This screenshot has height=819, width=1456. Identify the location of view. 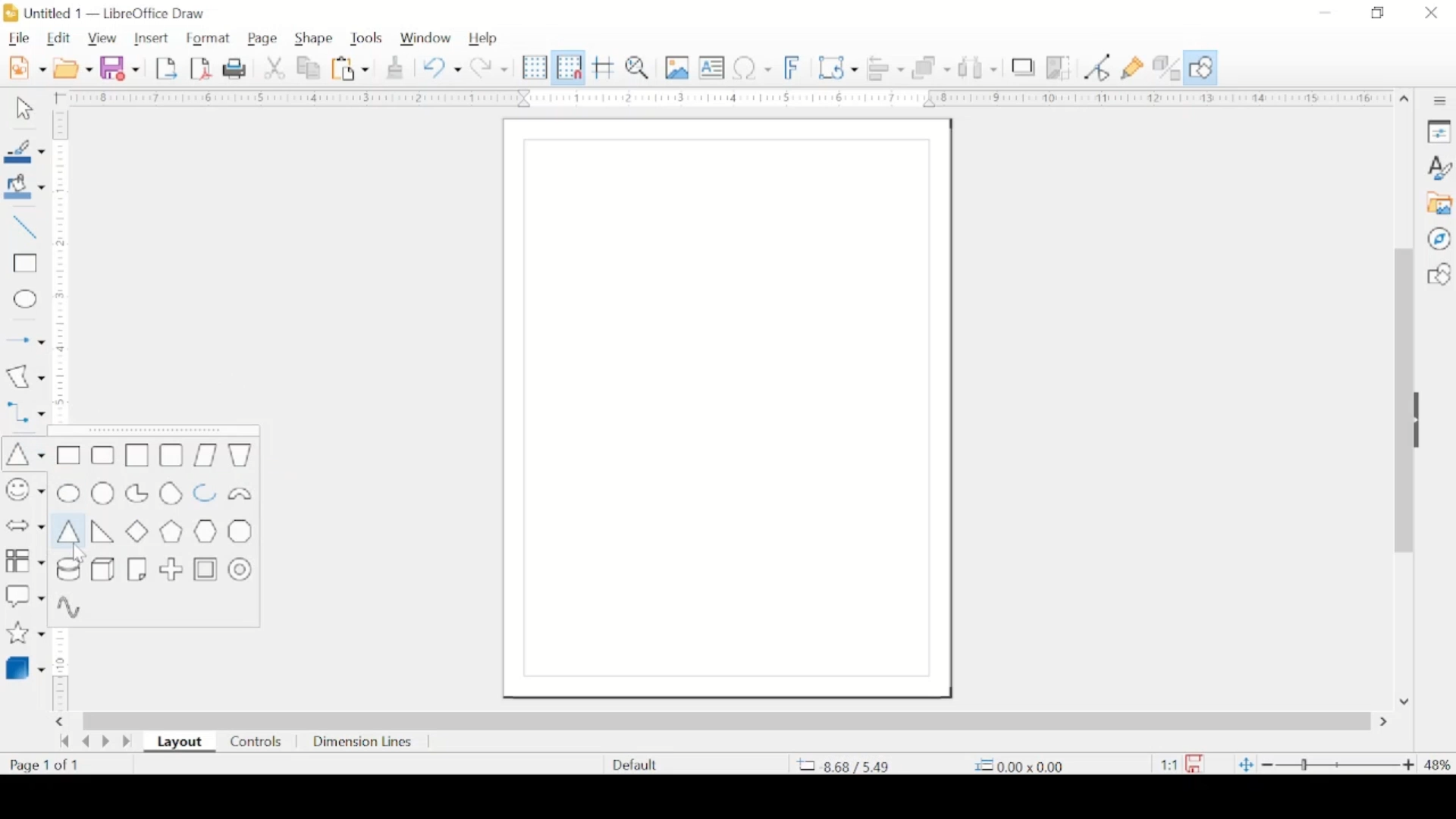
(104, 37).